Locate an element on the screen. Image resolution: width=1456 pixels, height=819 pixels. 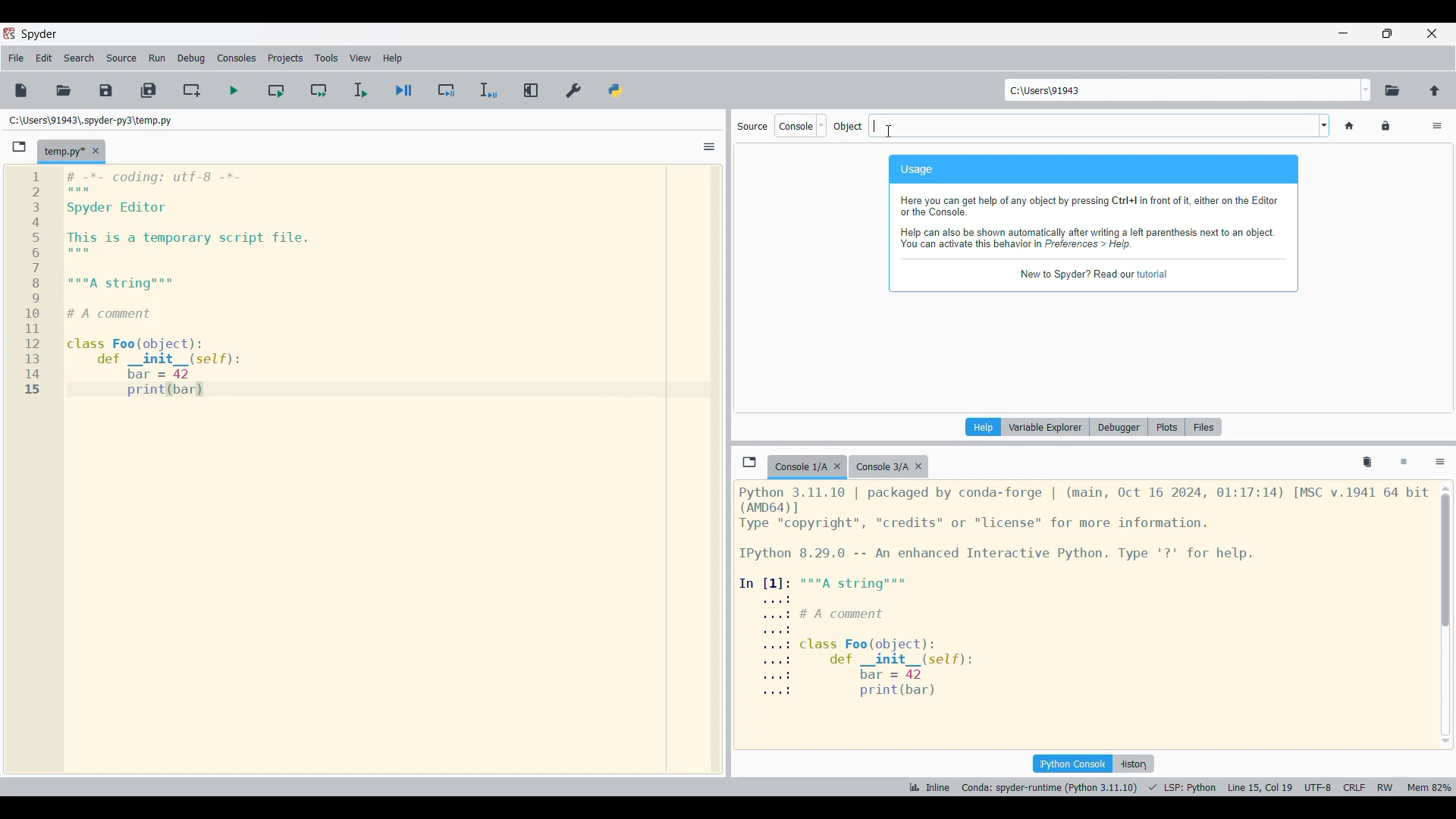
View menu is located at coordinates (361, 58).